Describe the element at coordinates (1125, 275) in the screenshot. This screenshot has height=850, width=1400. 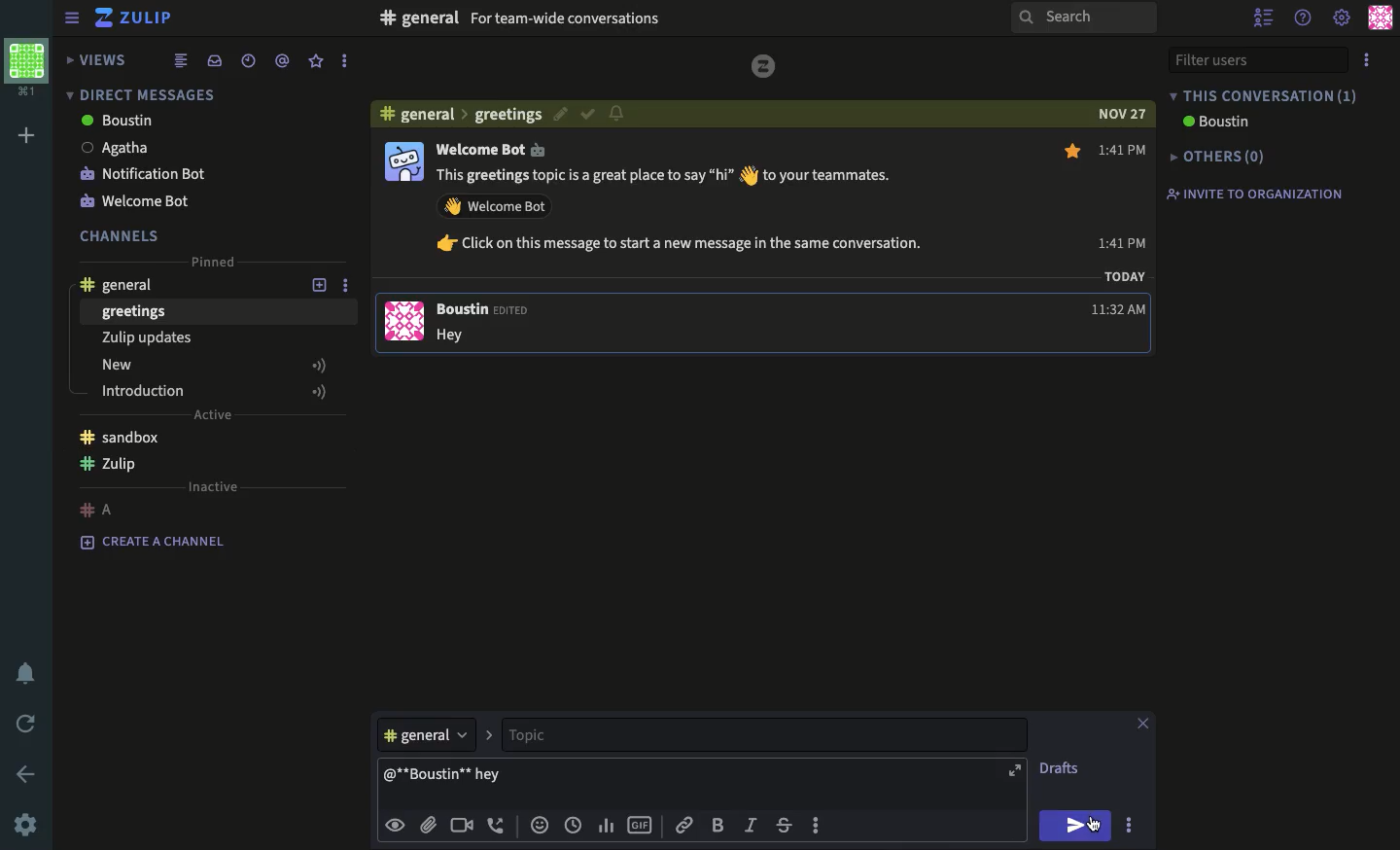
I see `TODAY` at that location.